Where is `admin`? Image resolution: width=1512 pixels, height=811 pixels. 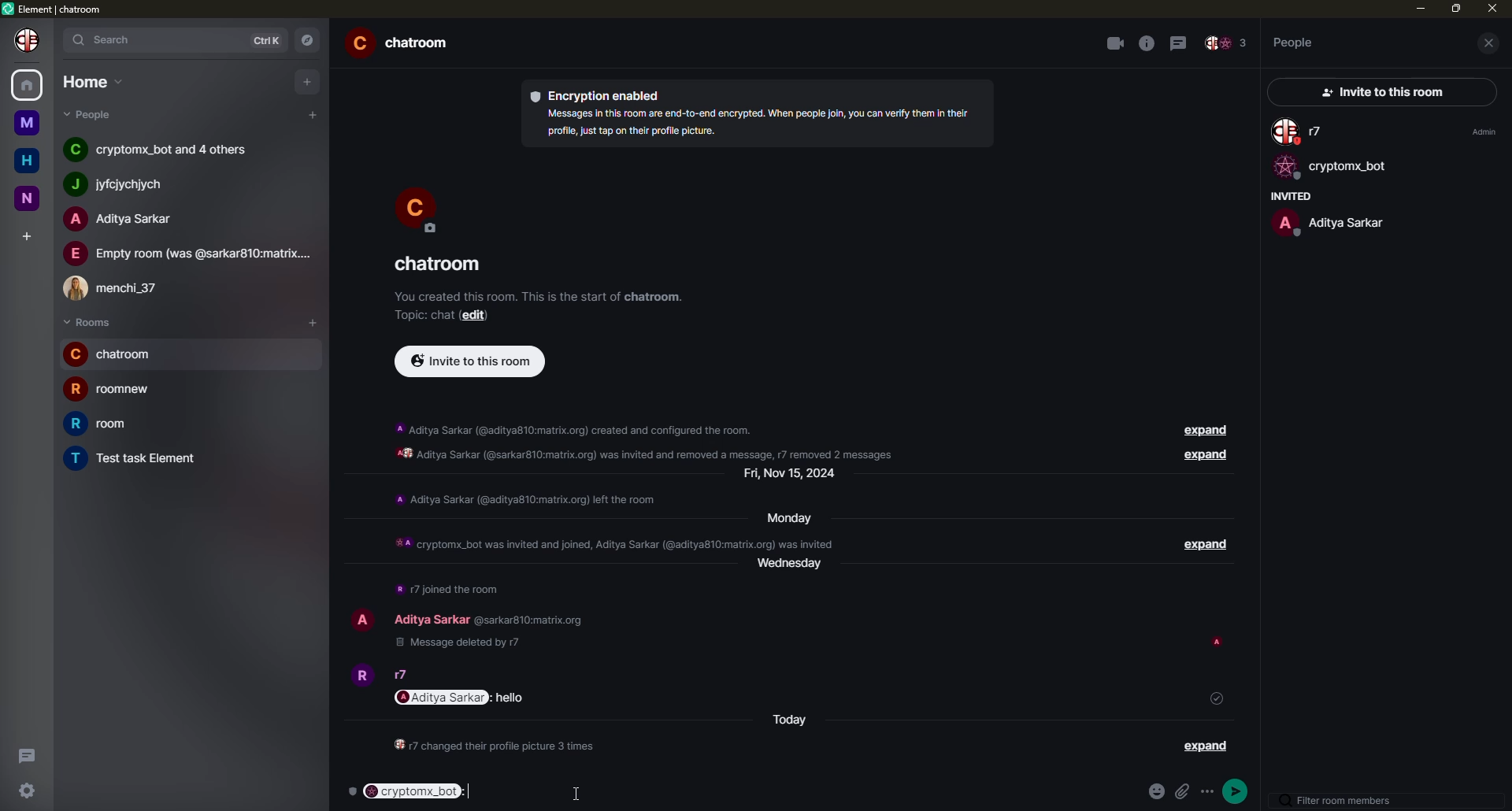 admin is located at coordinates (1481, 131).